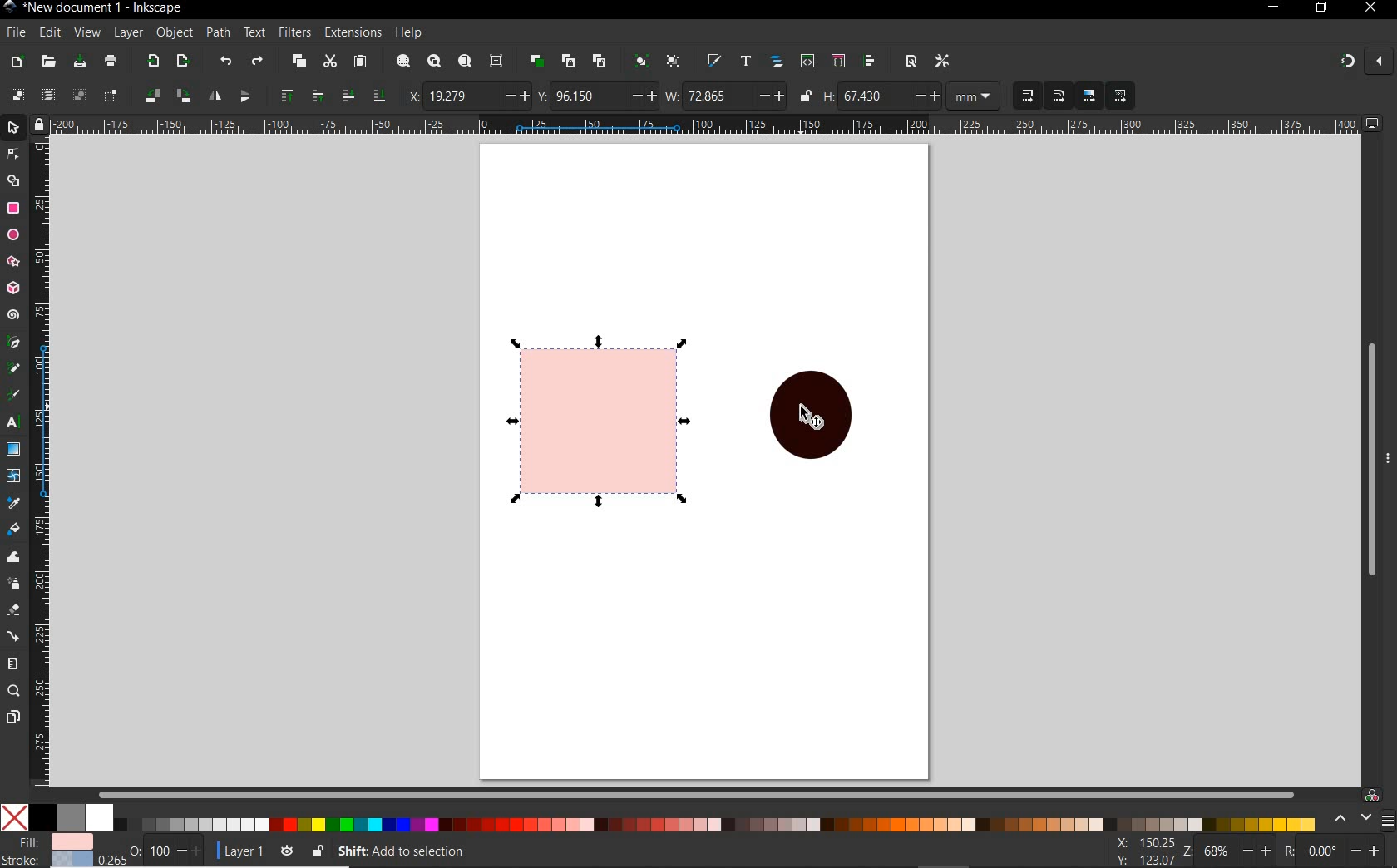  What do you see at coordinates (12, 611) in the screenshot?
I see `eraser tool` at bounding box center [12, 611].